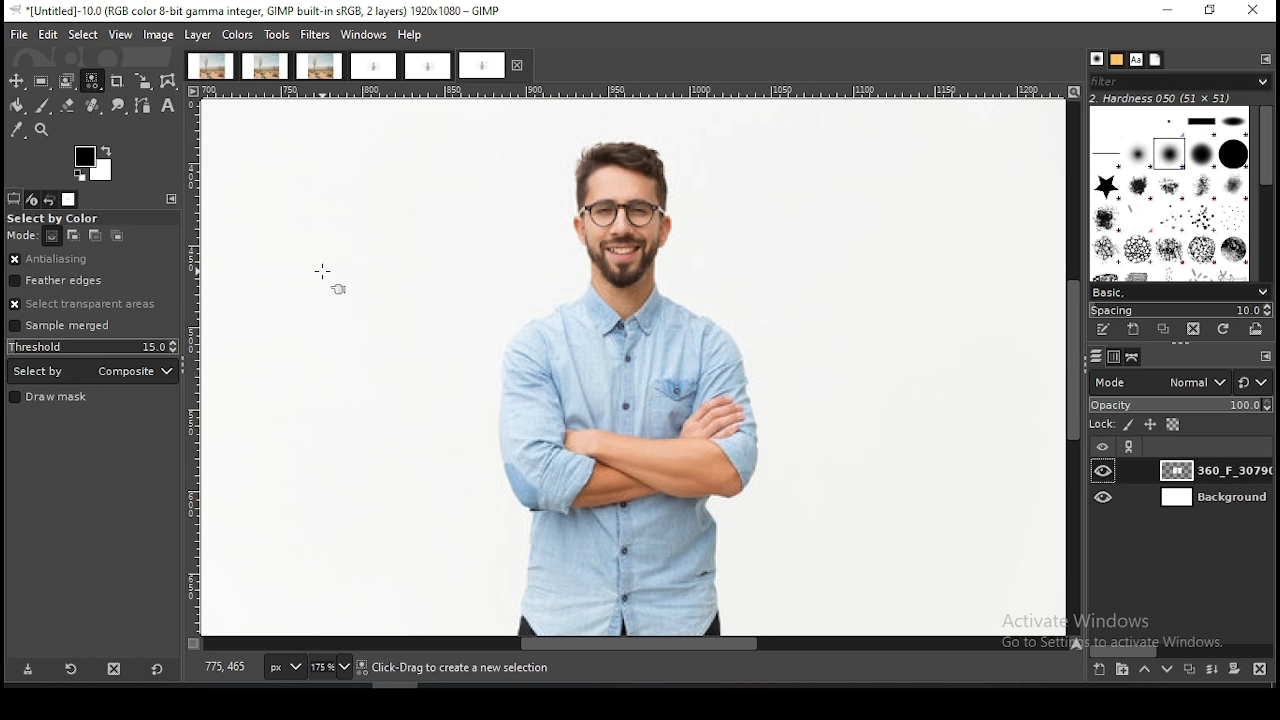 The width and height of the screenshot is (1280, 720). I want to click on mode:, so click(23, 236).